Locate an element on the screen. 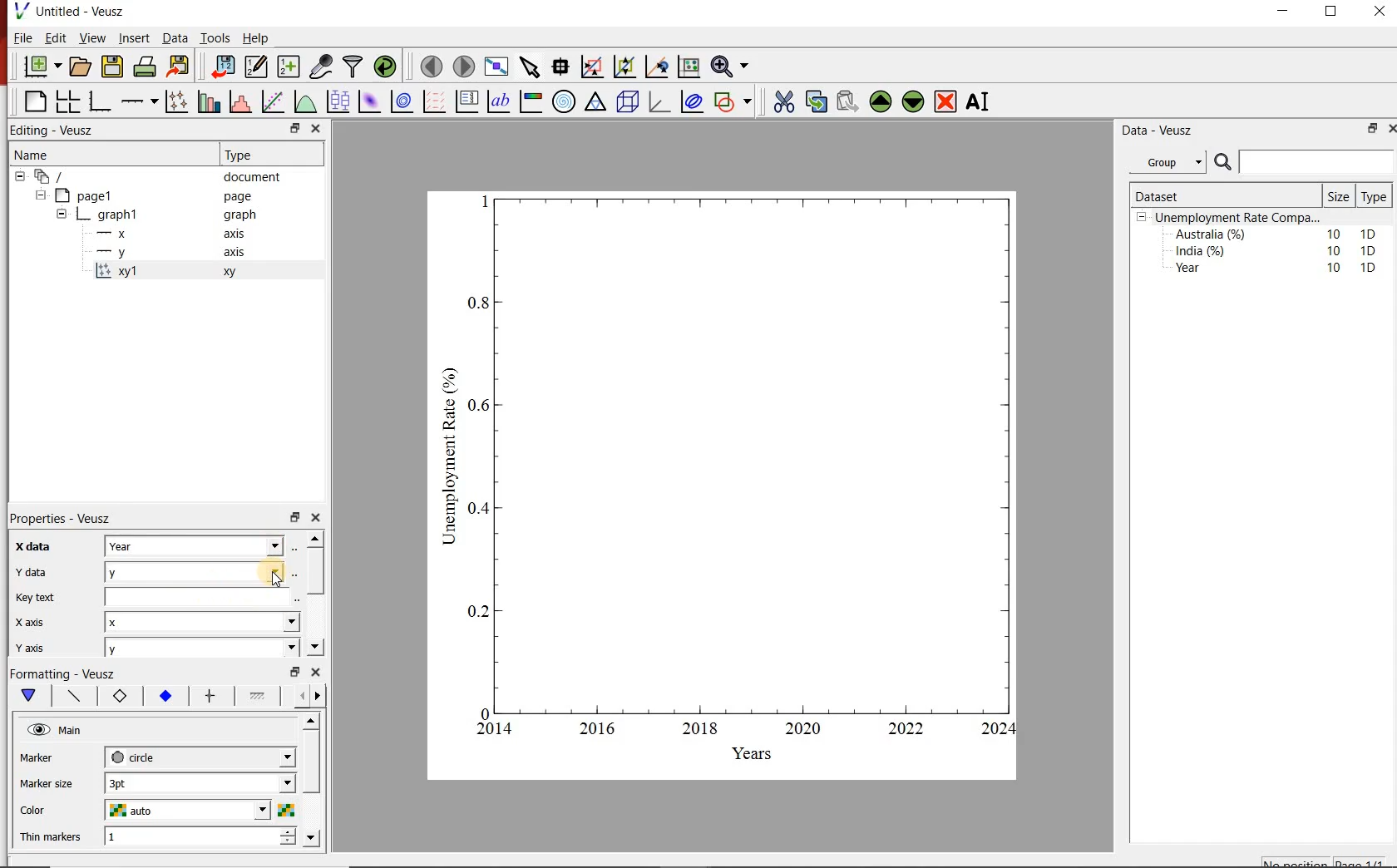  add an axis is located at coordinates (138, 101).